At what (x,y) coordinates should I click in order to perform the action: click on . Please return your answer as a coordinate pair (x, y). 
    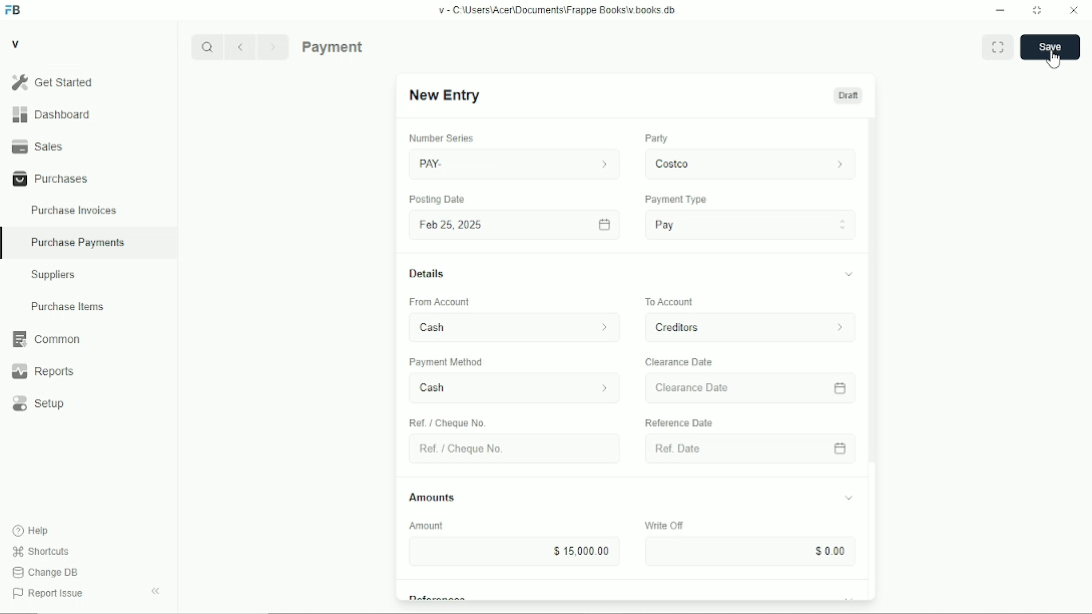
    Looking at the image, I should click on (748, 552).